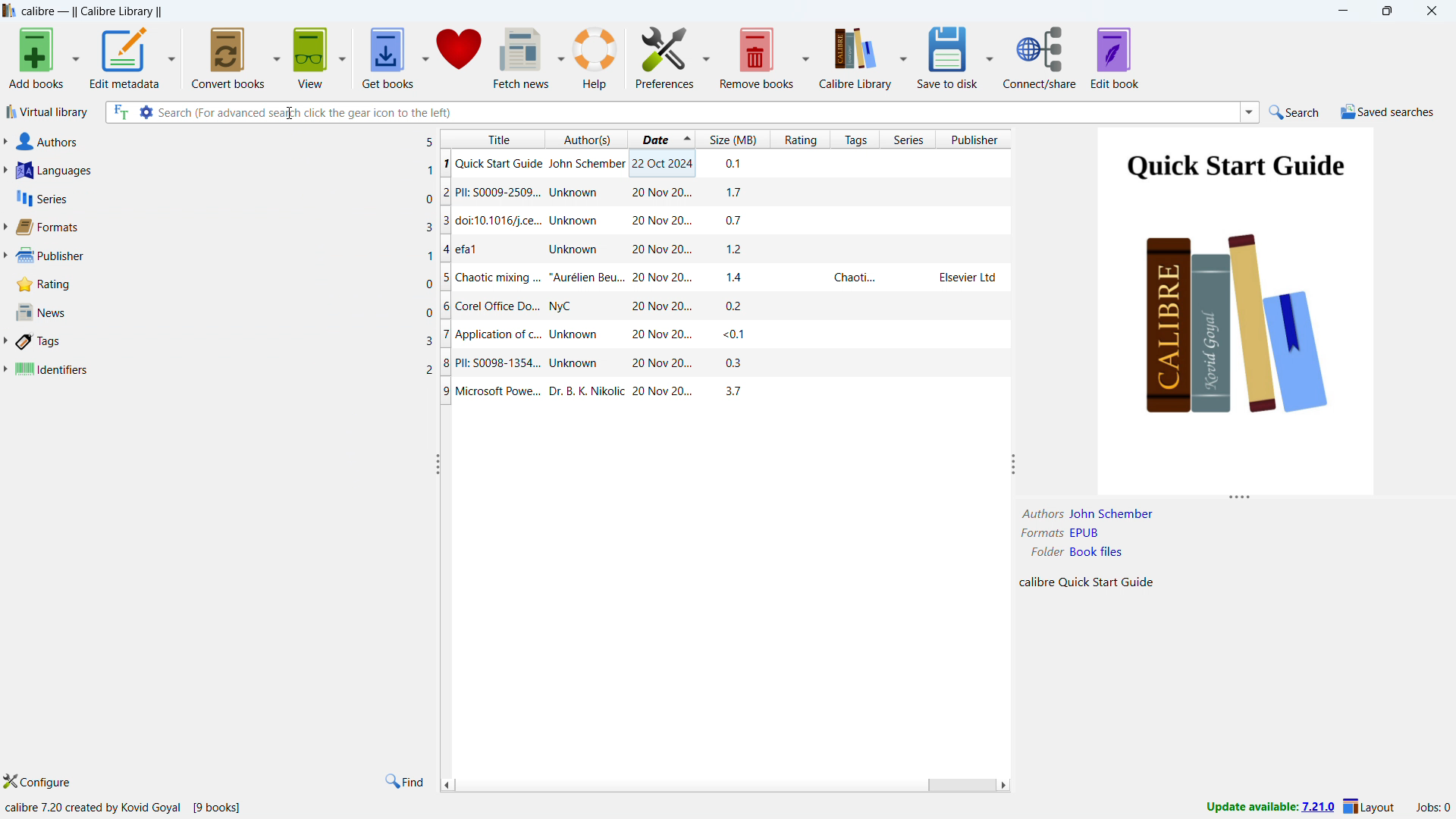  Describe the element at coordinates (224, 342) in the screenshot. I see `tags` at that location.